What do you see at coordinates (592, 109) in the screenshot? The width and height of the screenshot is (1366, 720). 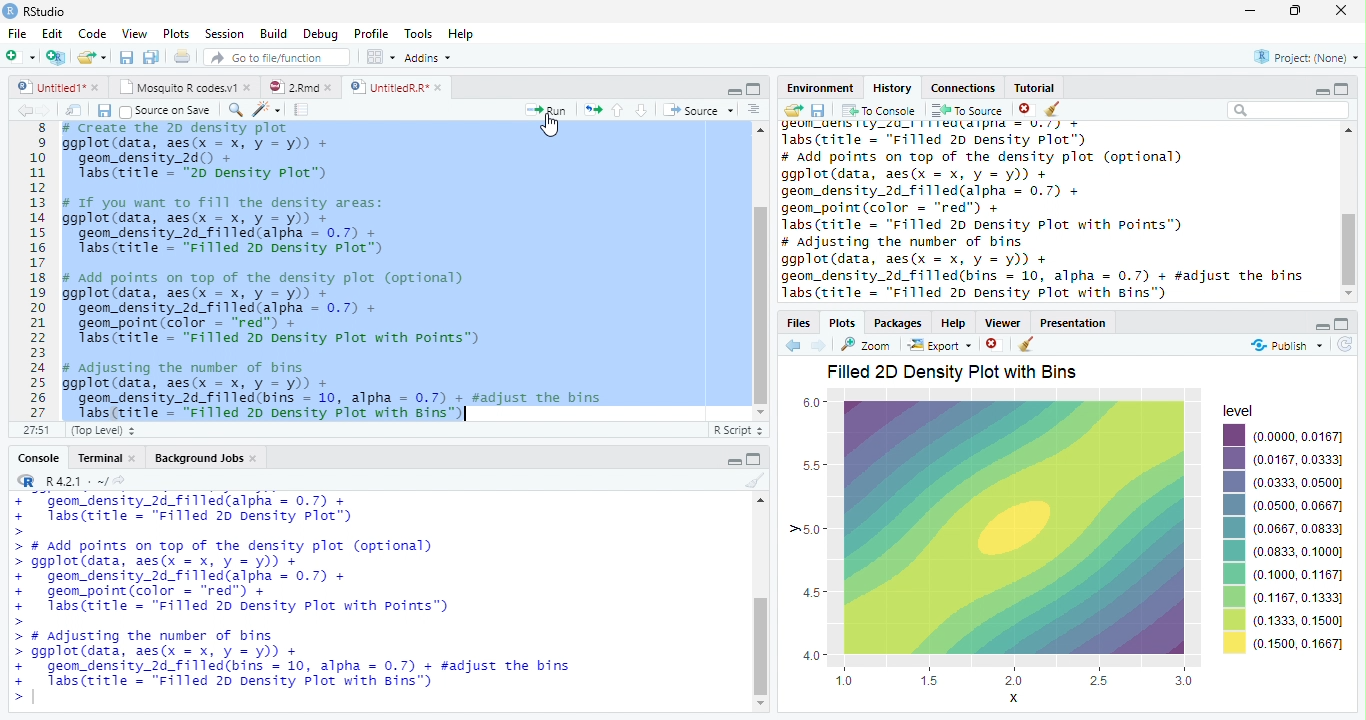 I see `re-run the previous code` at bounding box center [592, 109].